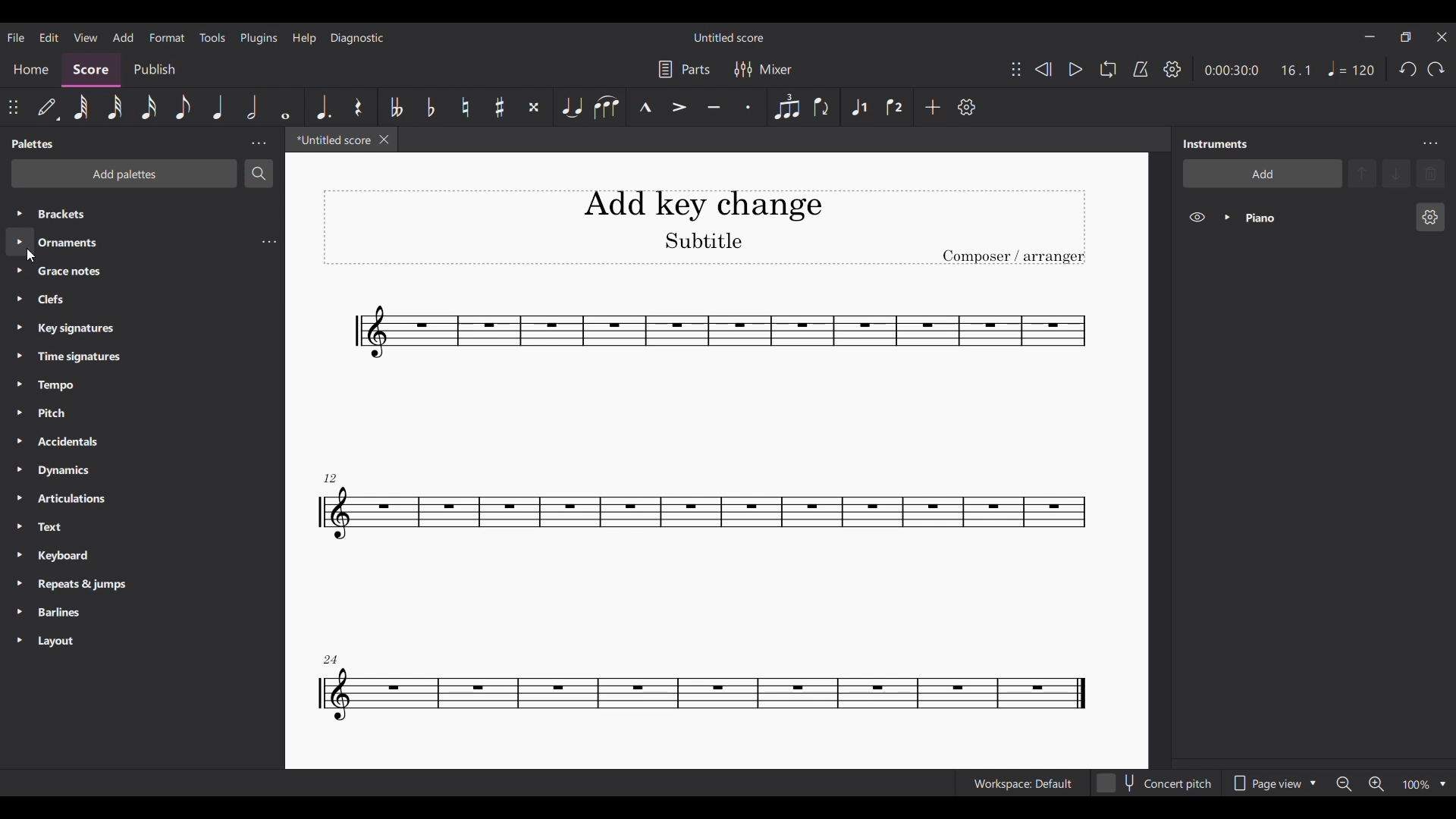 The width and height of the screenshot is (1456, 819). I want to click on Current instrument, so click(1324, 217).